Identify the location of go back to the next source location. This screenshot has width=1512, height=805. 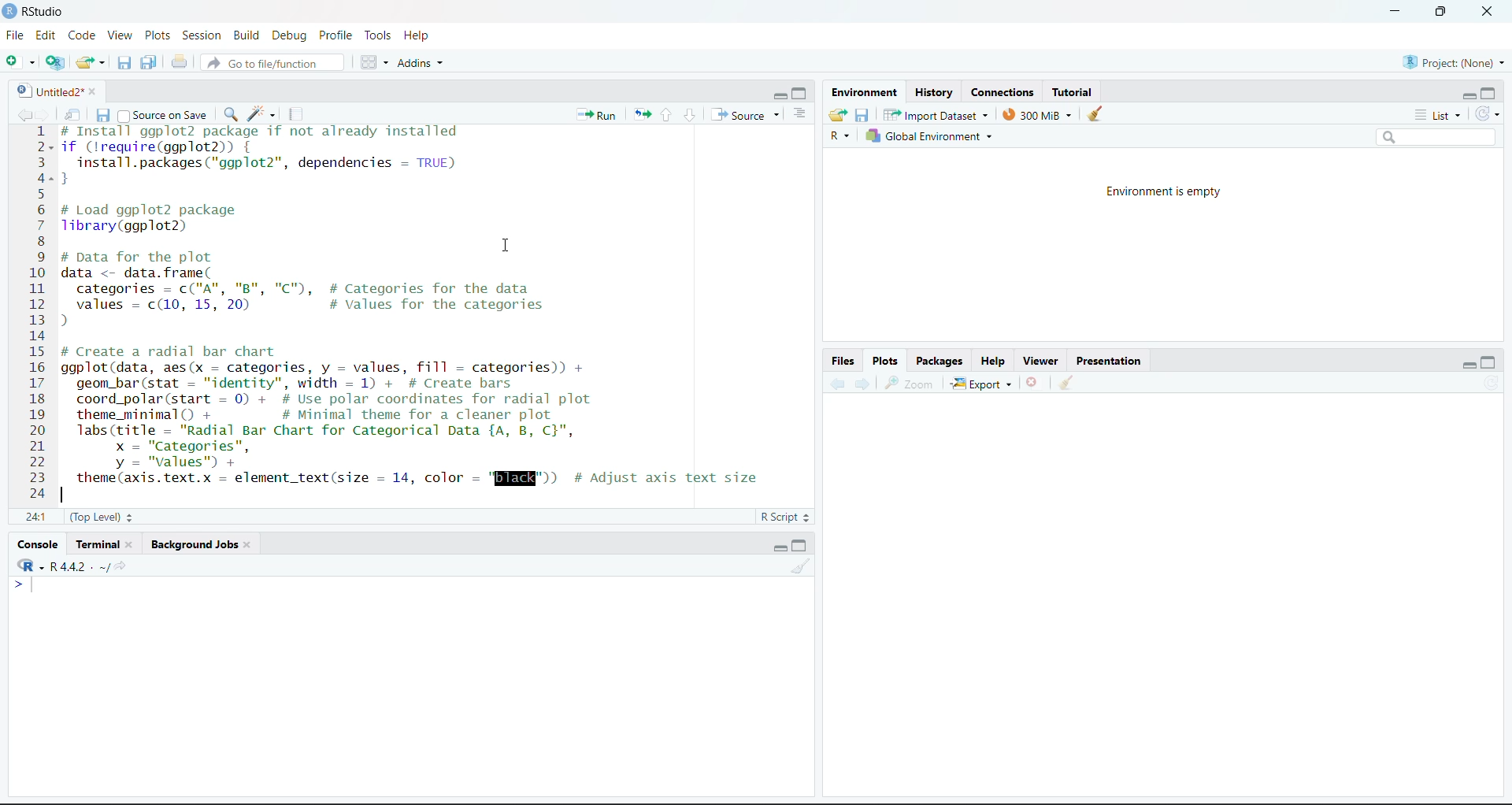
(45, 112).